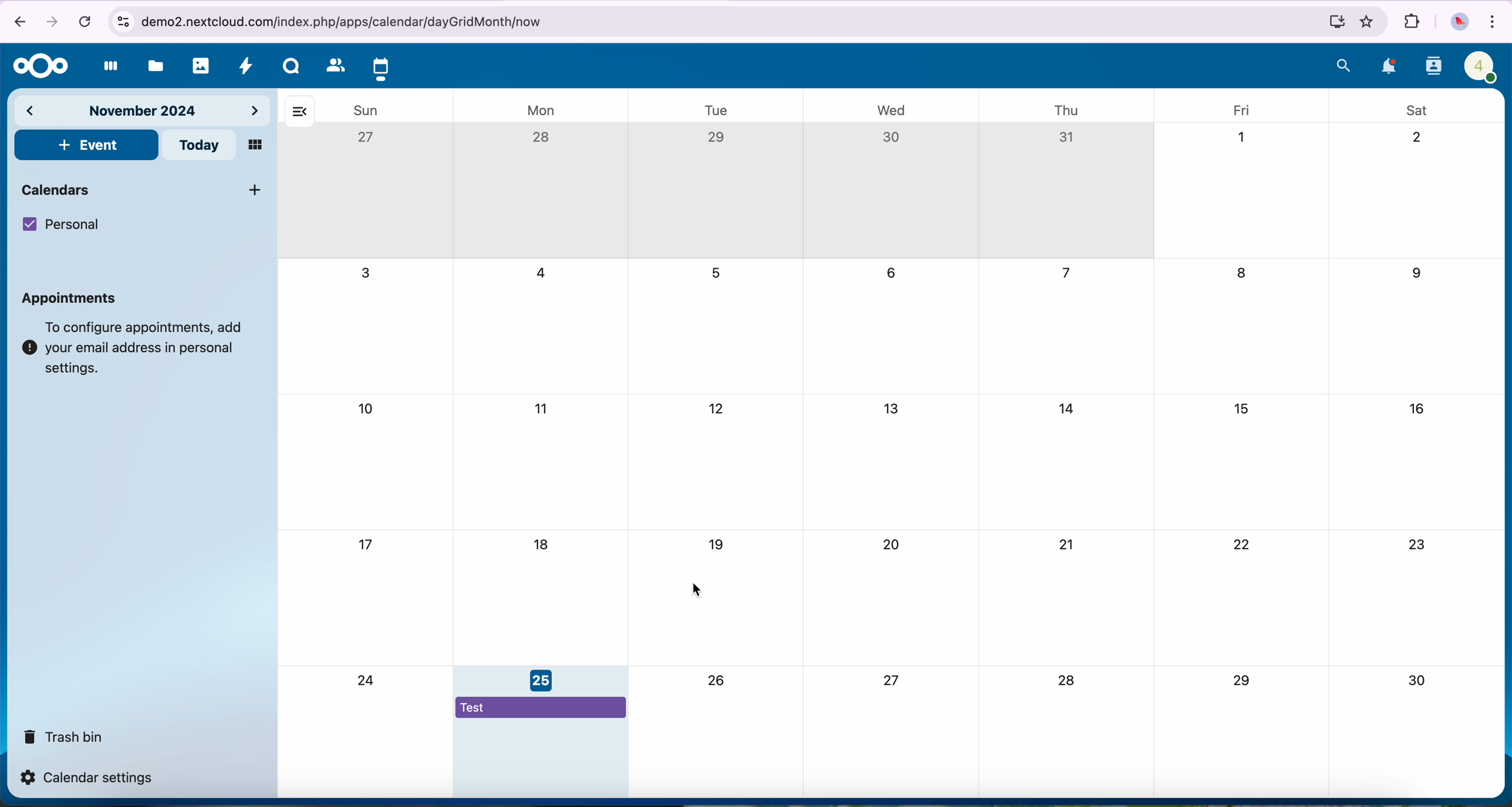  What do you see at coordinates (541, 732) in the screenshot?
I see `event assigned on November 25` at bounding box center [541, 732].